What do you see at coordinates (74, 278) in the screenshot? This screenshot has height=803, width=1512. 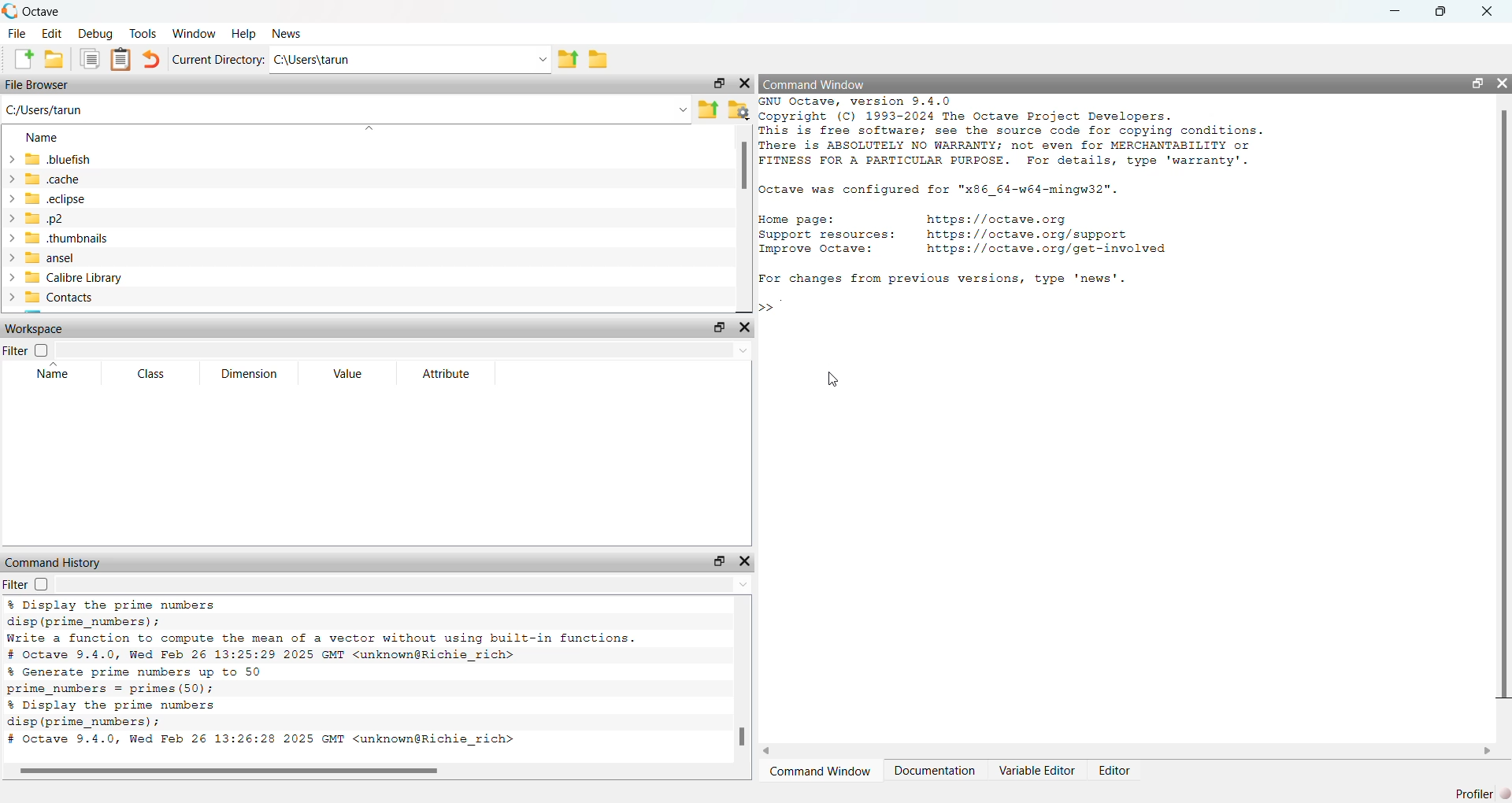 I see `Calibre Library` at bounding box center [74, 278].